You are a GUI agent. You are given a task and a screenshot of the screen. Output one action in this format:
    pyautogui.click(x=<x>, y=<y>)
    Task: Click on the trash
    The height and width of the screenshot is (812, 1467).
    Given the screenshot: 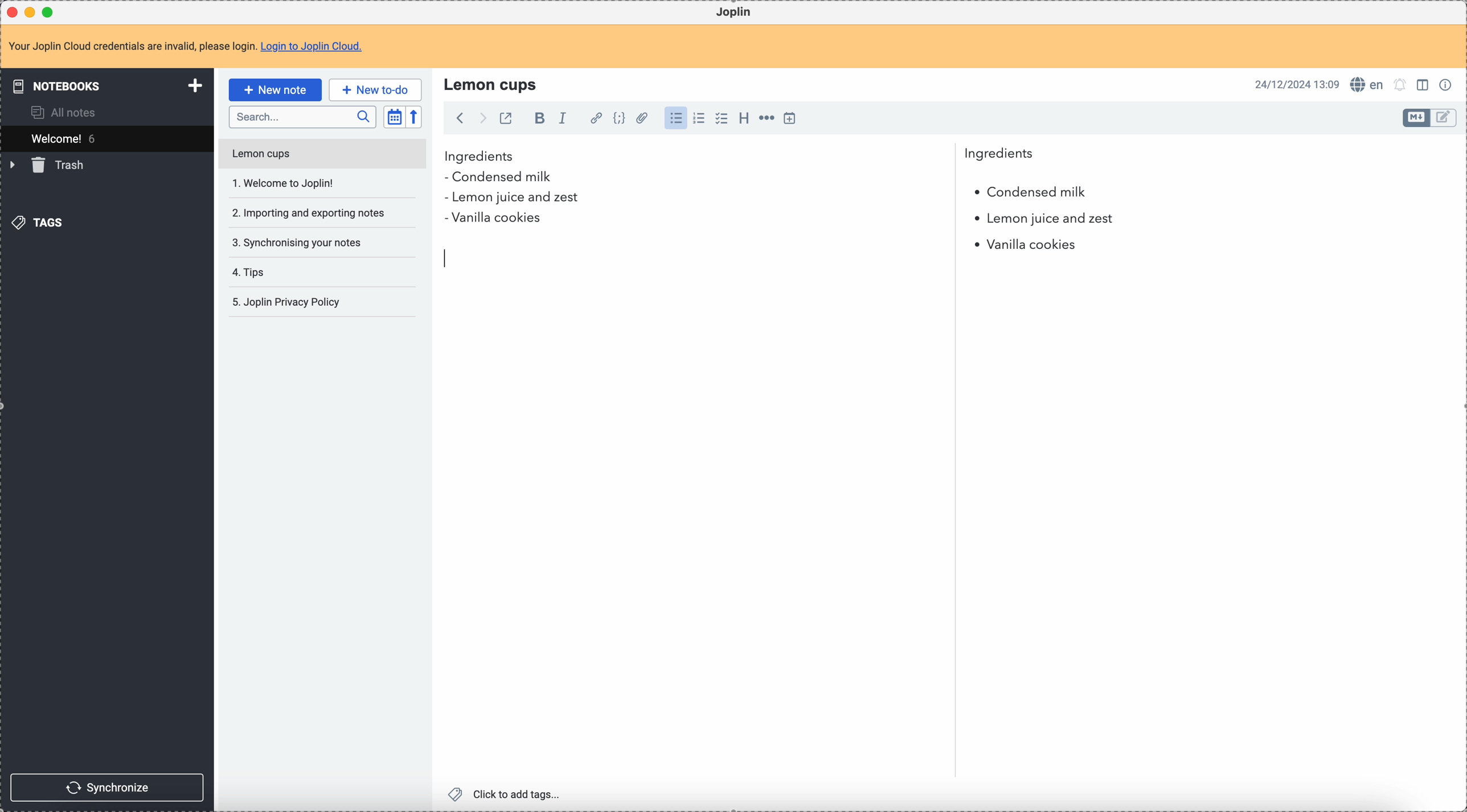 What is the action you would take?
    pyautogui.click(x=49, y=165)
    